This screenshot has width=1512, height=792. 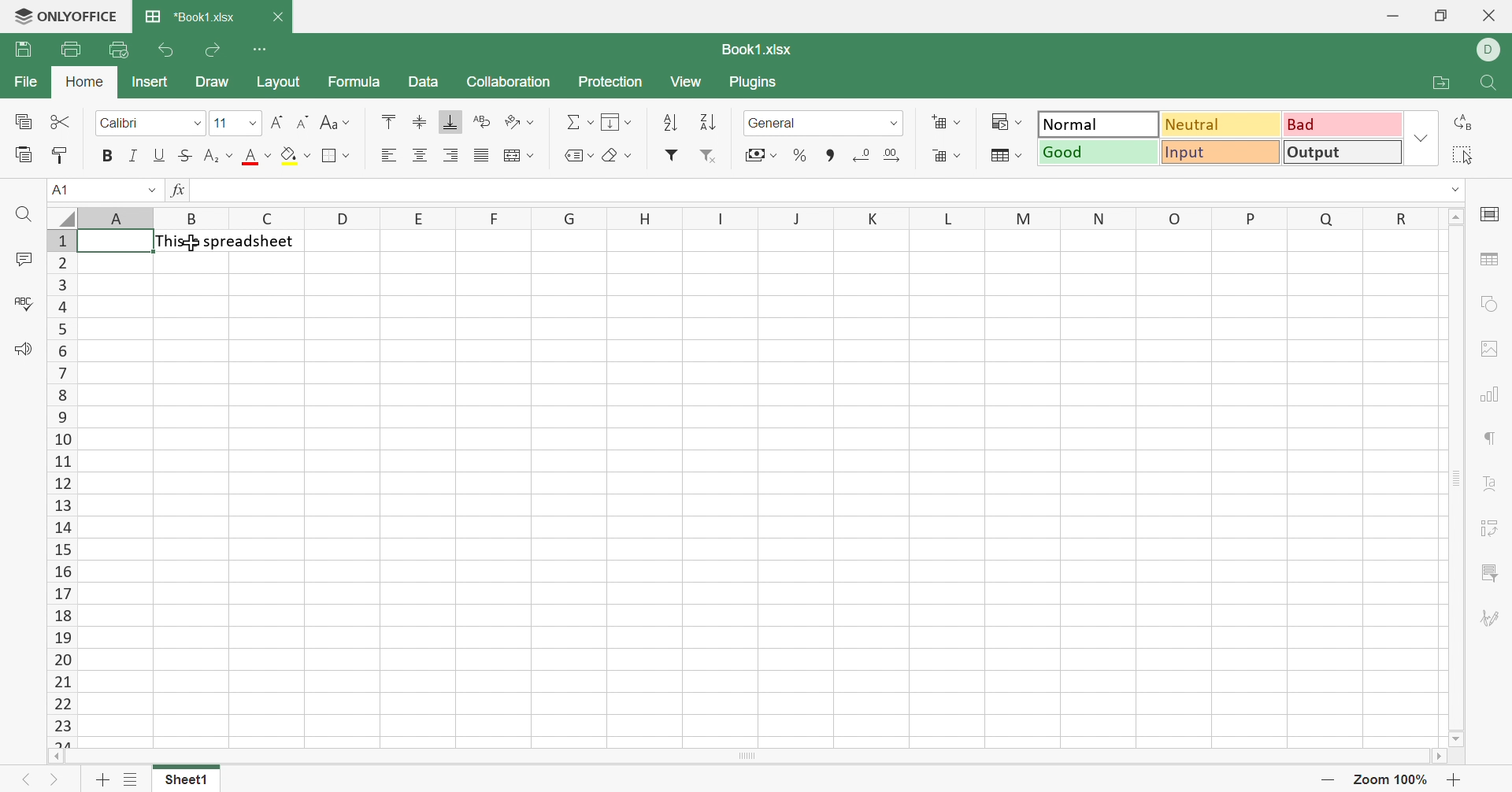 What do you see at coordinates (196, 248) in the screenshot?
I see `cursor` at bounding box center [196, 248].